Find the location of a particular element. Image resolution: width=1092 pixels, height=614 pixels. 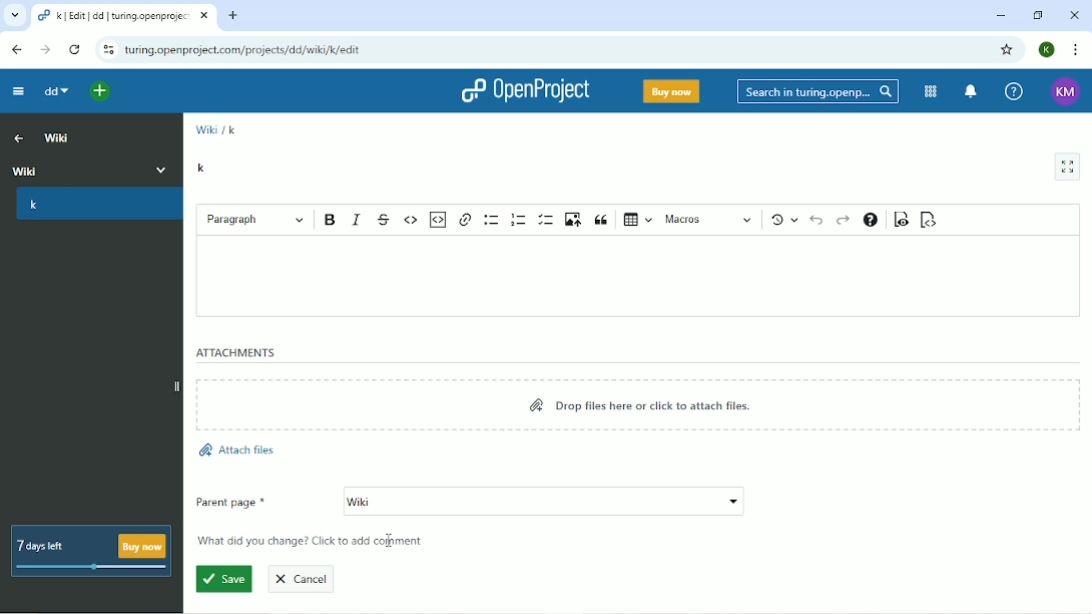

Wiki is located at coordinates (92, 168).